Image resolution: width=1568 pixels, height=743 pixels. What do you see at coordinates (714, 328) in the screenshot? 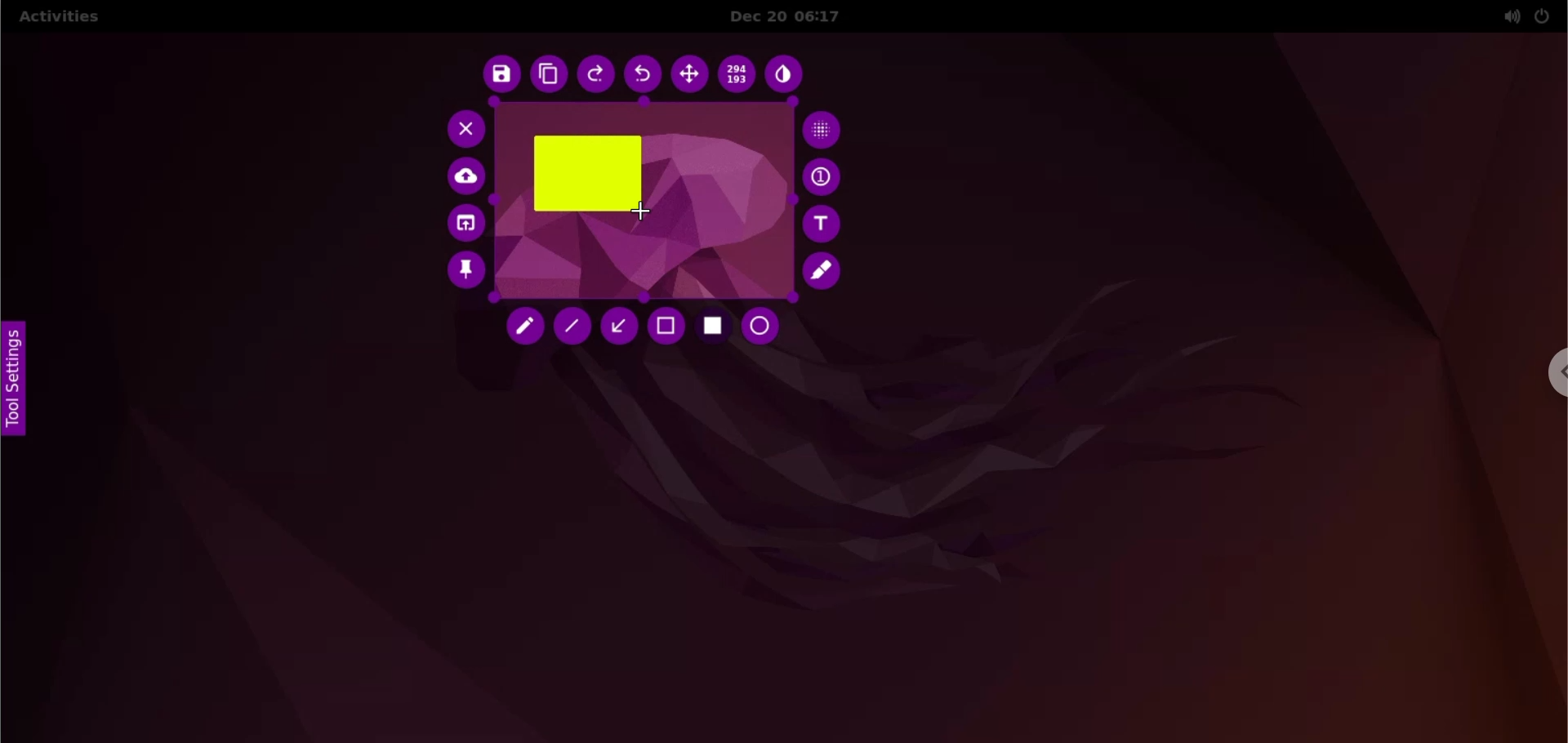
I see `rectangle tool` at bounding box center [714, 328].